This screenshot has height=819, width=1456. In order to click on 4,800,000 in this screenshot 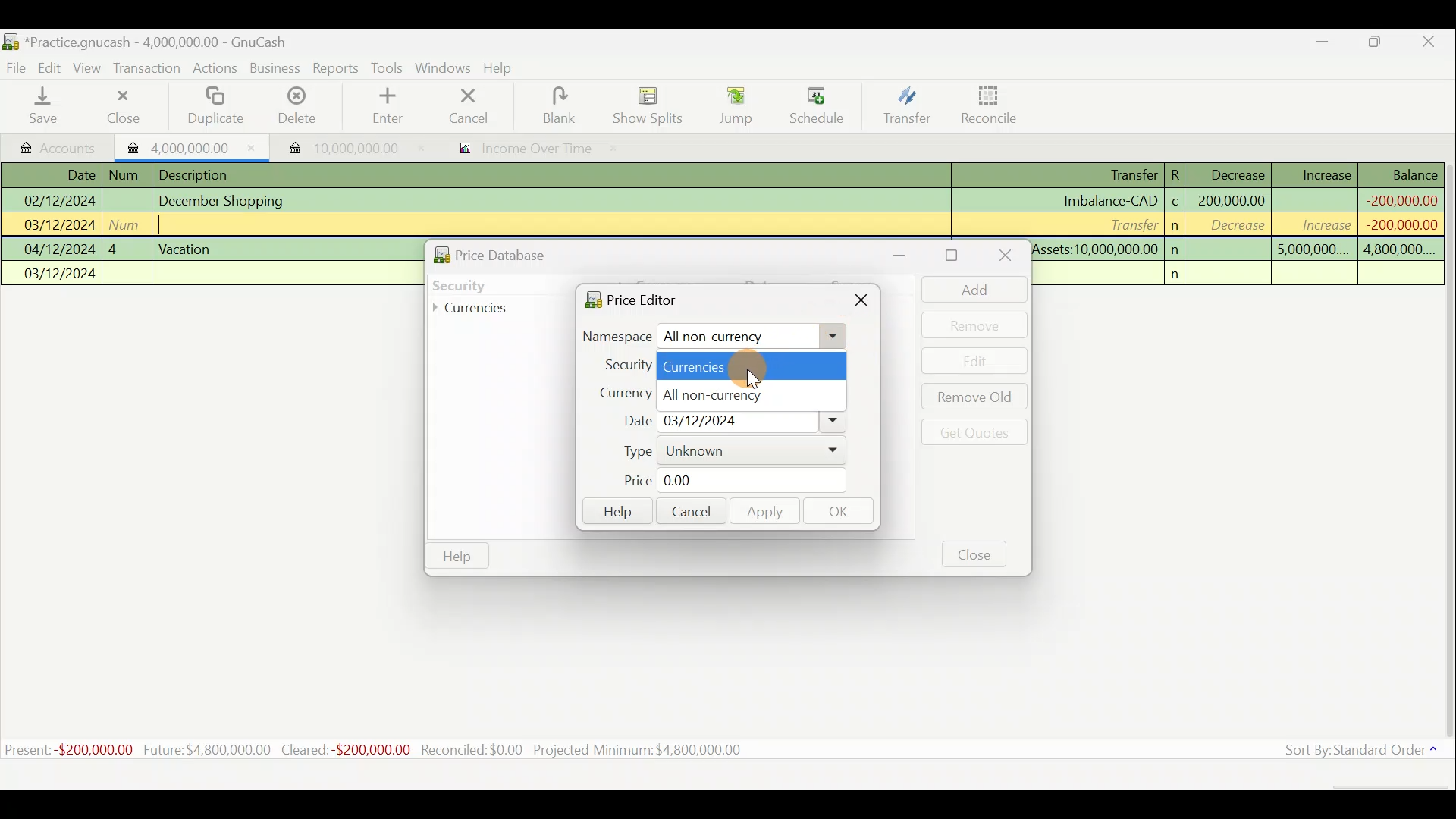, I will do `click(1398, 250)`.